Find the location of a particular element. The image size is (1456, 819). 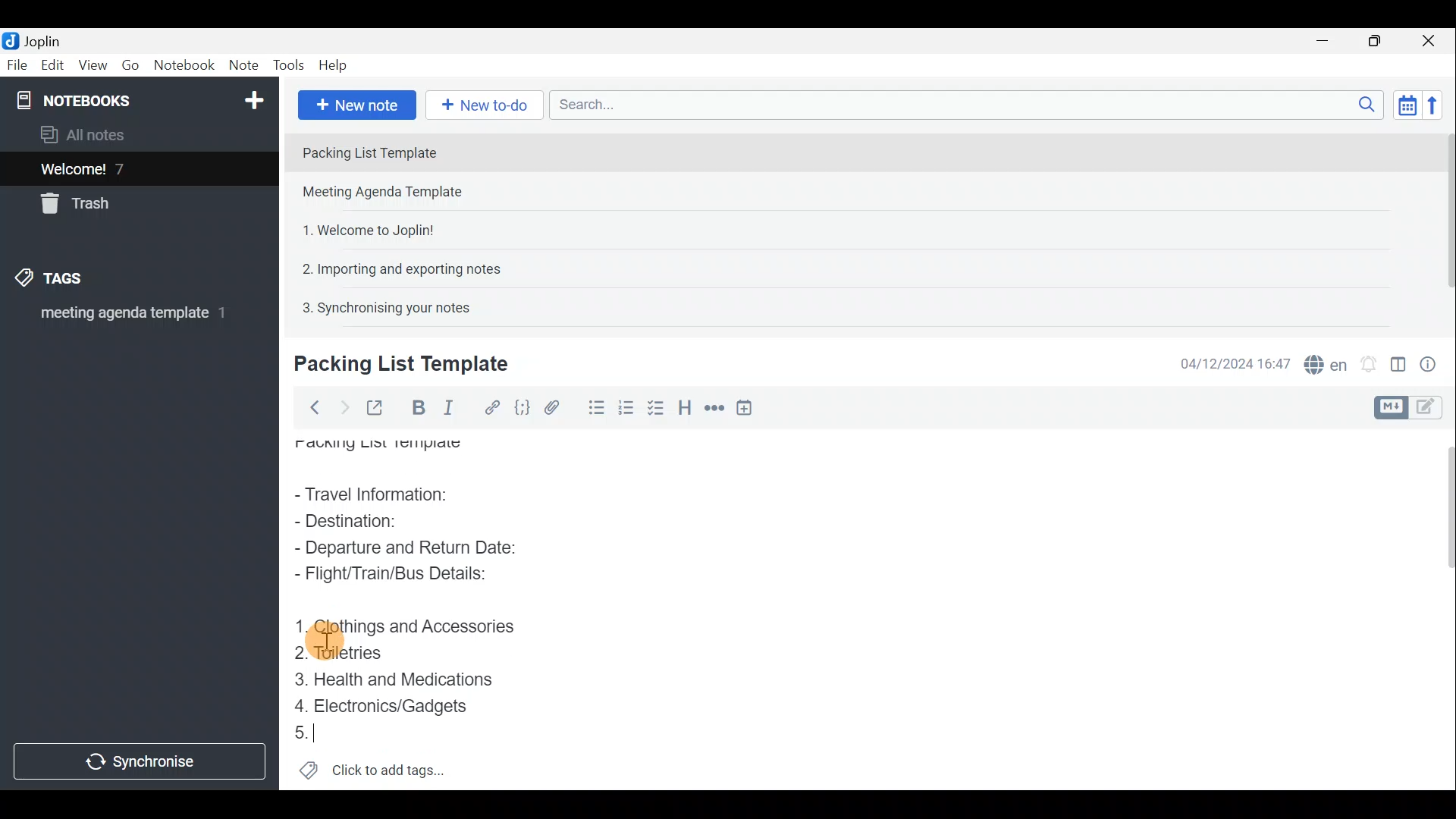

Heading is located at coordinates (686, 406).